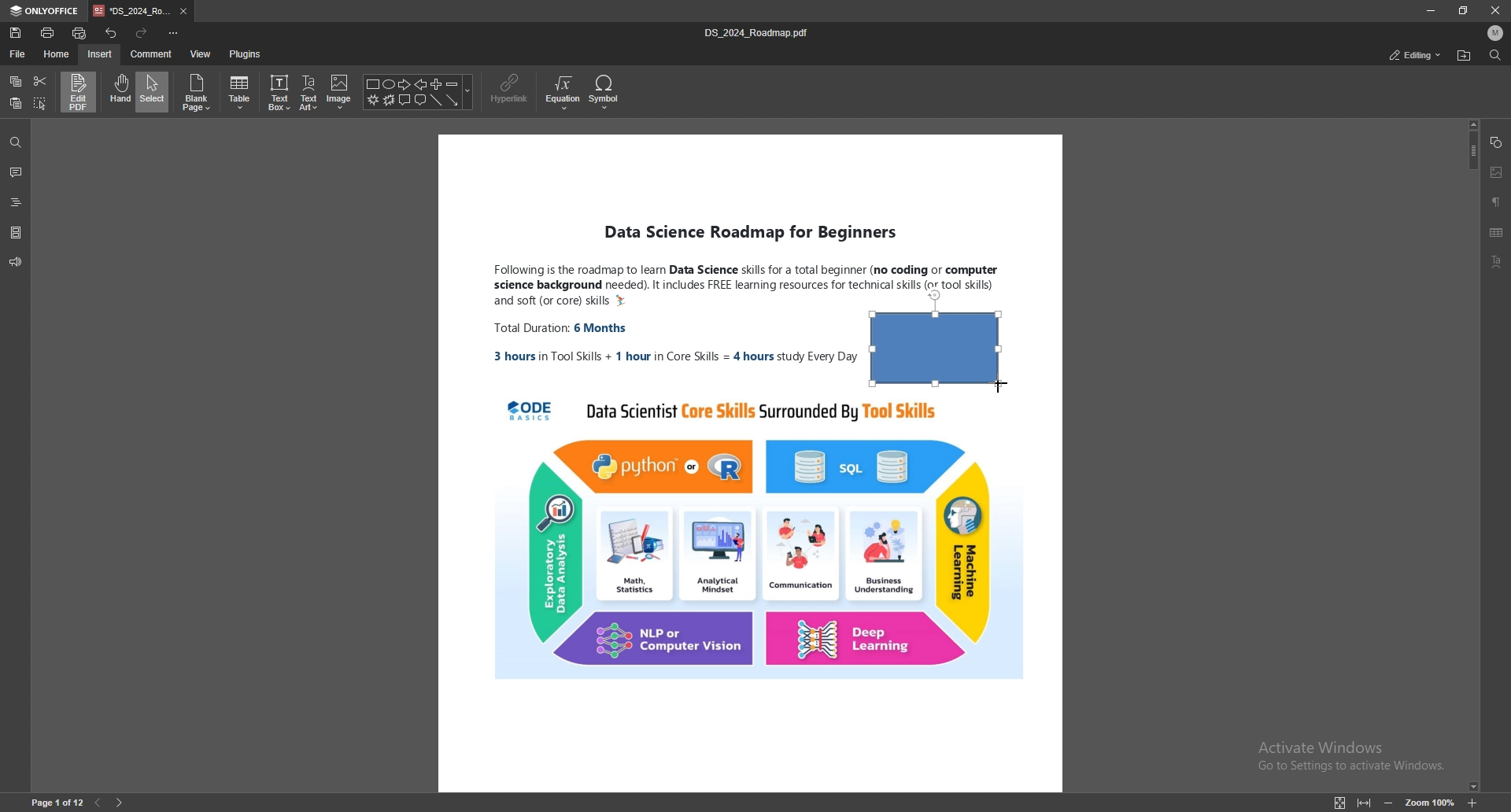 The image size is (1511, 812). What do you see at coordinates (419, 93) in the screenshot?
I see `shapes` at bounding box center [419, 93].